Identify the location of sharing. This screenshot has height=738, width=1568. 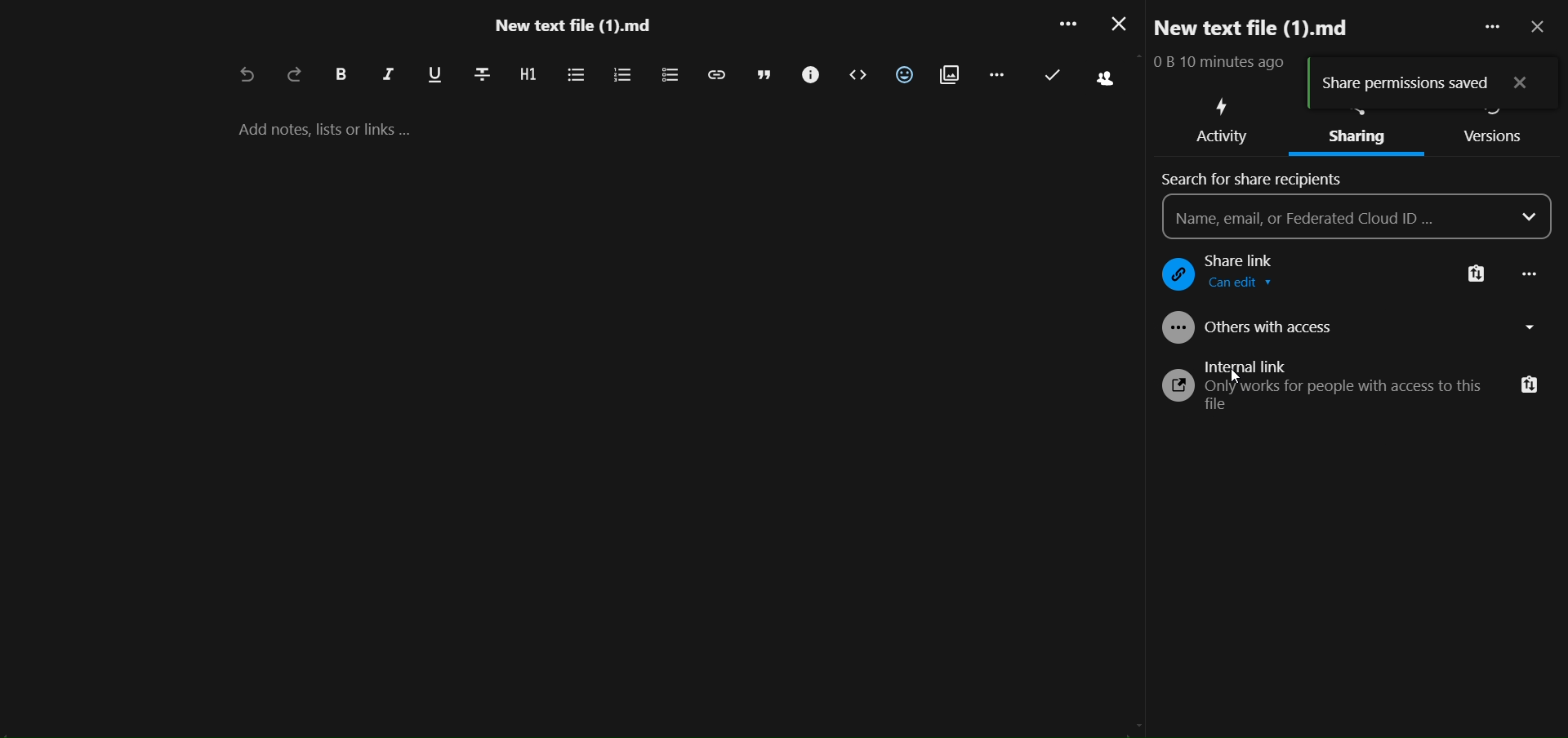
(1354, 137).